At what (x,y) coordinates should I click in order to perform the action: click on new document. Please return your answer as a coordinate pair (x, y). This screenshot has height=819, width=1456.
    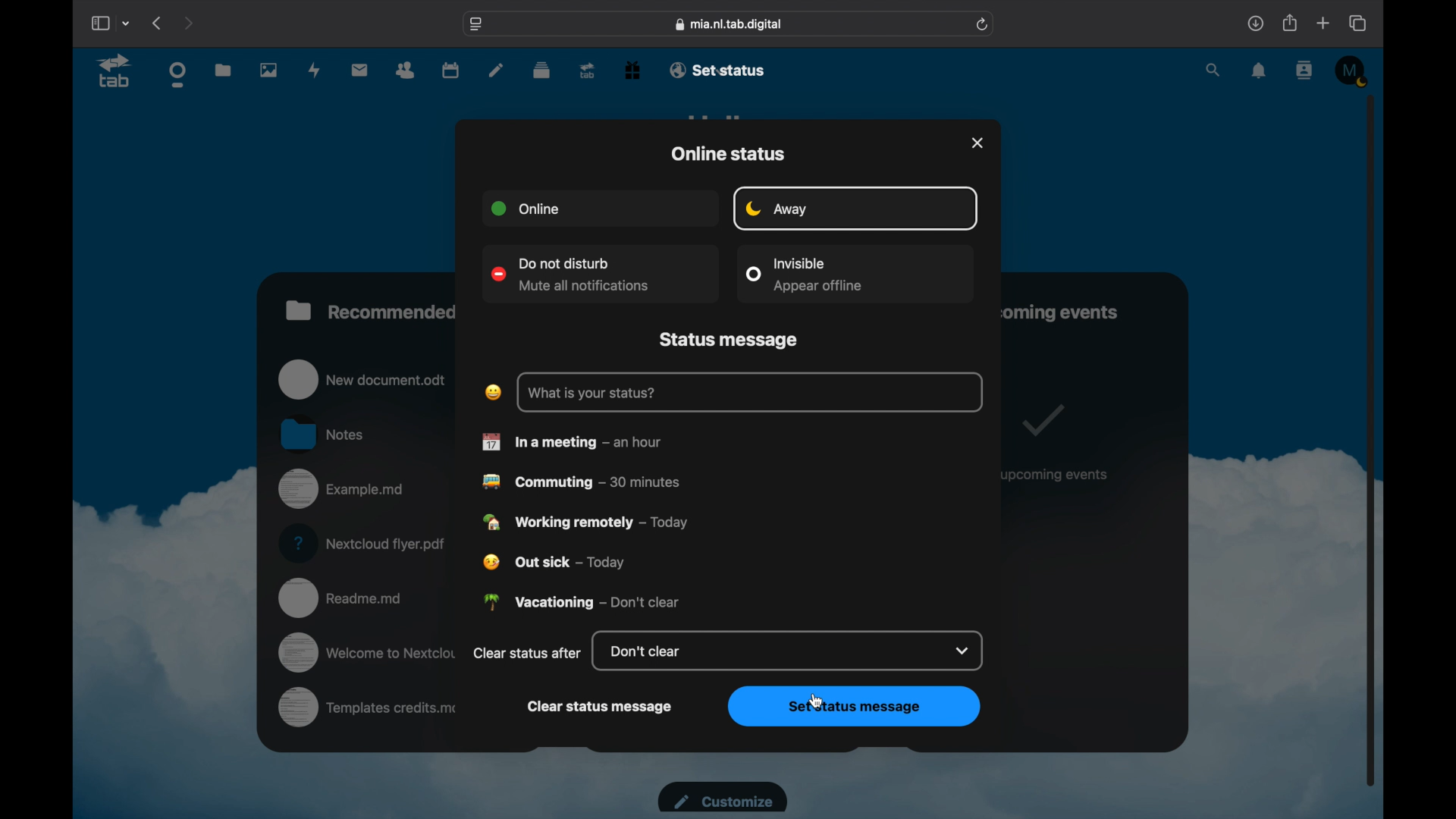
    Looking at the image, I should click on (364, 378).